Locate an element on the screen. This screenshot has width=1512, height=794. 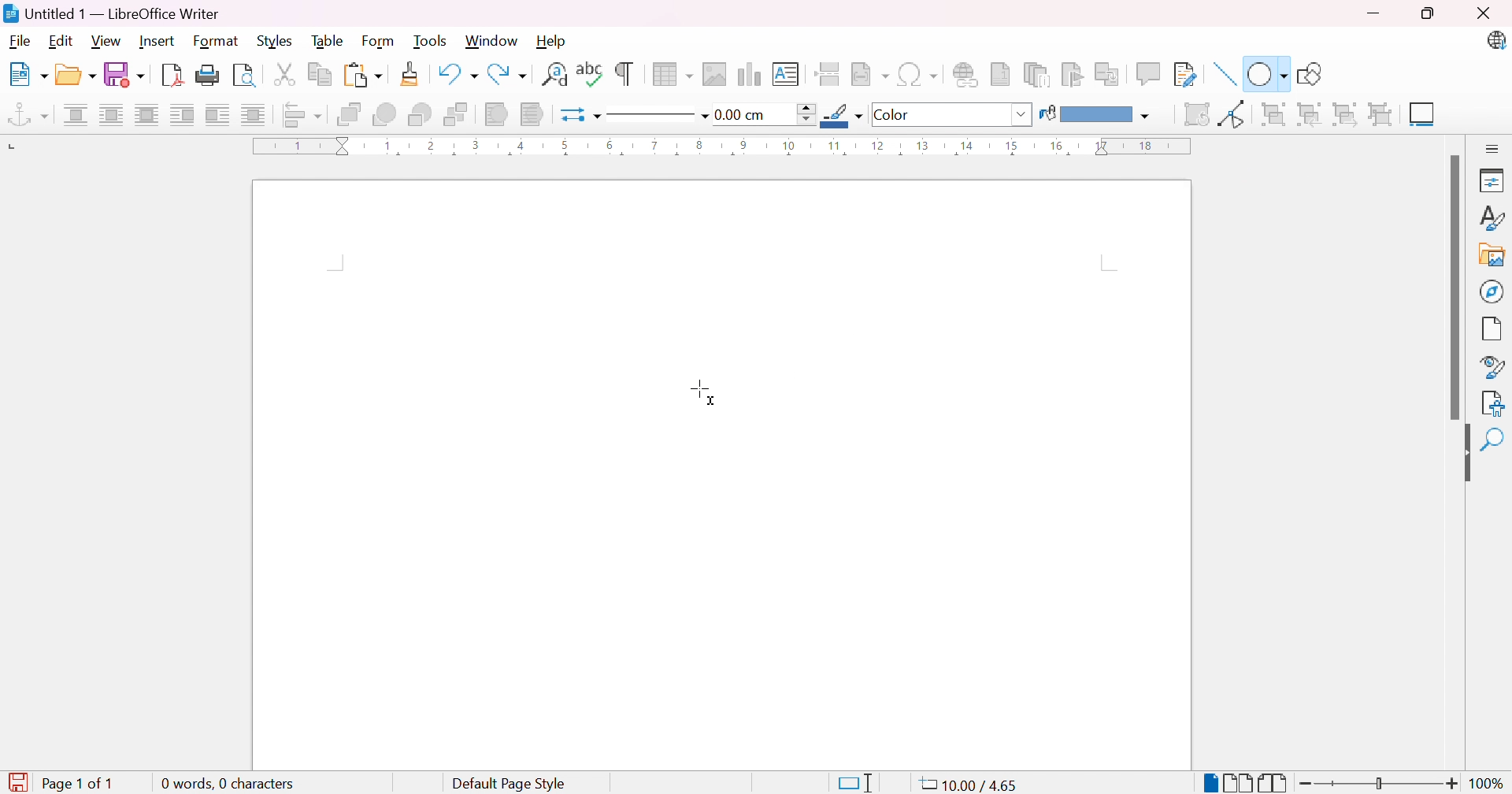
Export as PDF is located at coordinates (171, 76).